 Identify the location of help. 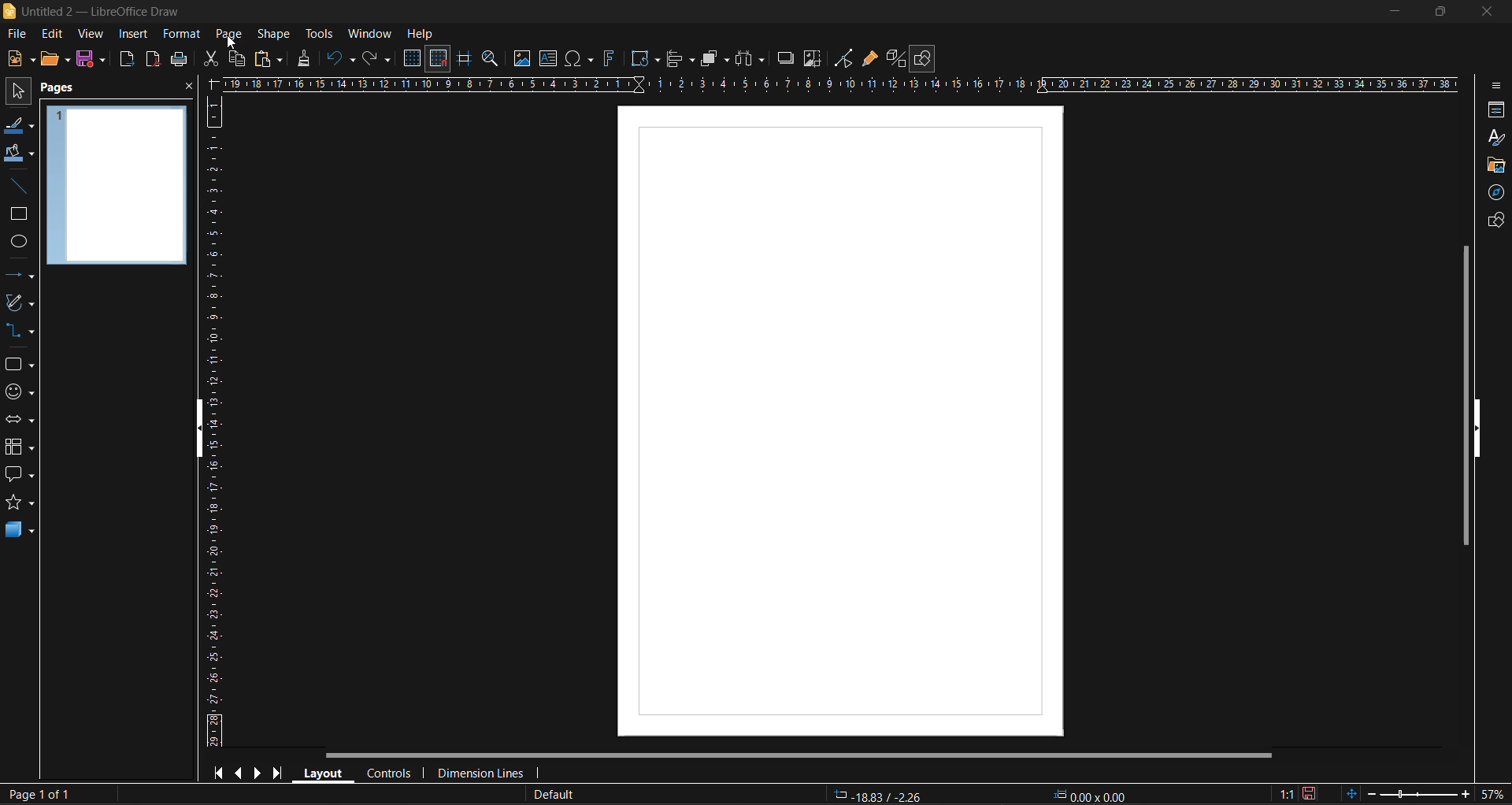
(421, 33).